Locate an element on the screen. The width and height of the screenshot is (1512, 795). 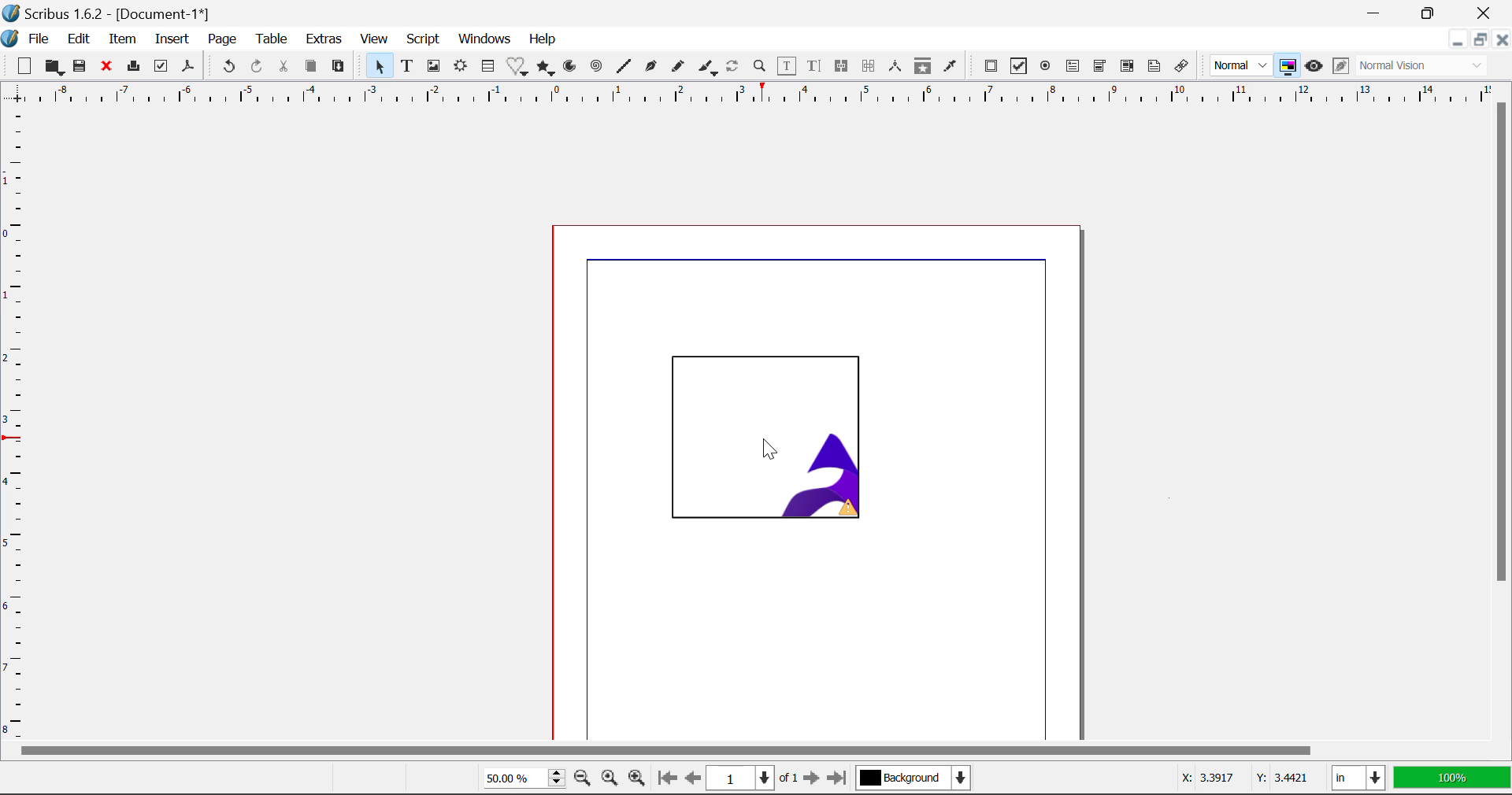
Link Annotation is located at coordinates (1183, 68).